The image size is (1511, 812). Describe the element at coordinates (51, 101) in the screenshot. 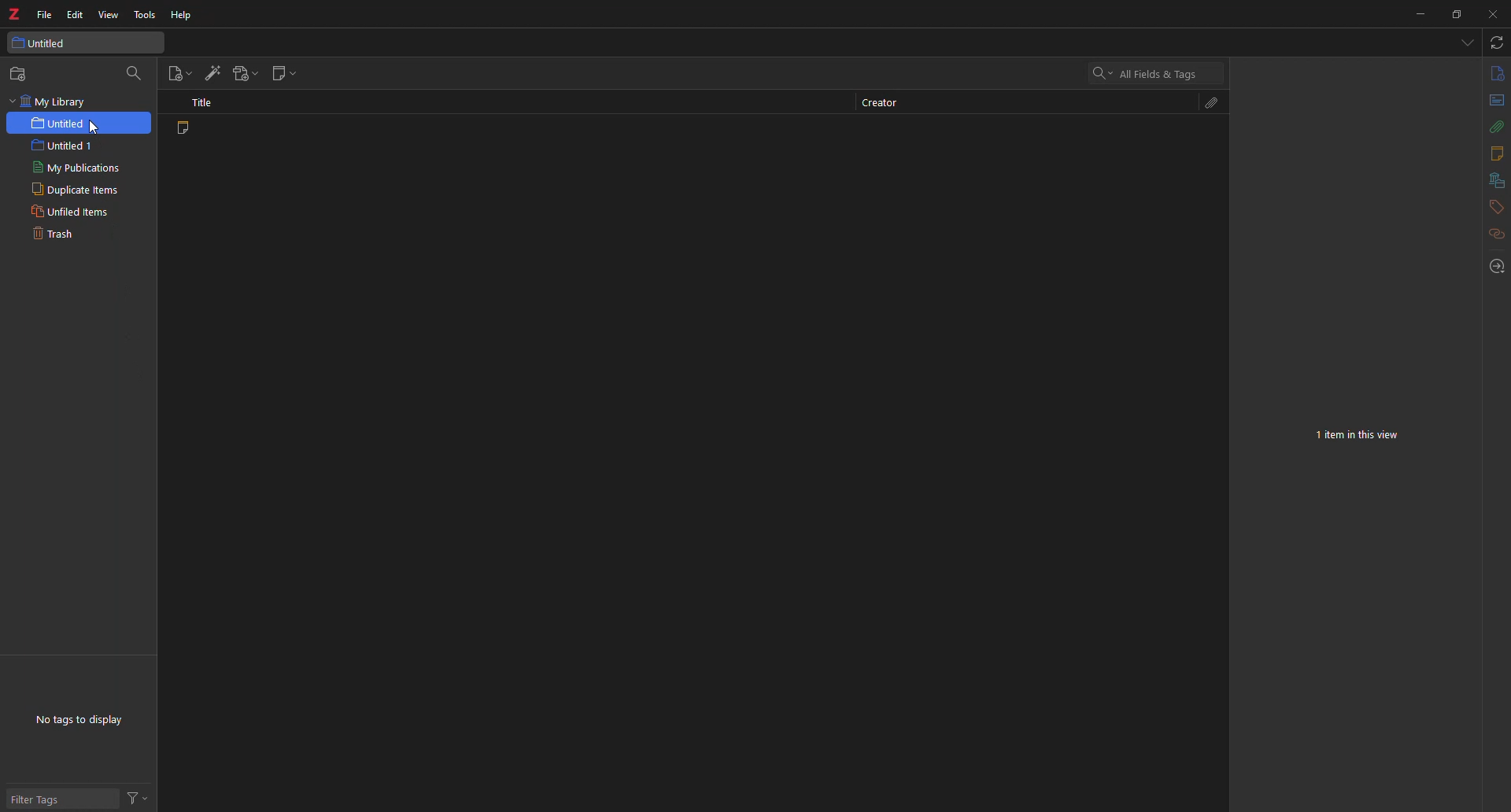

I see `my library` at that location.